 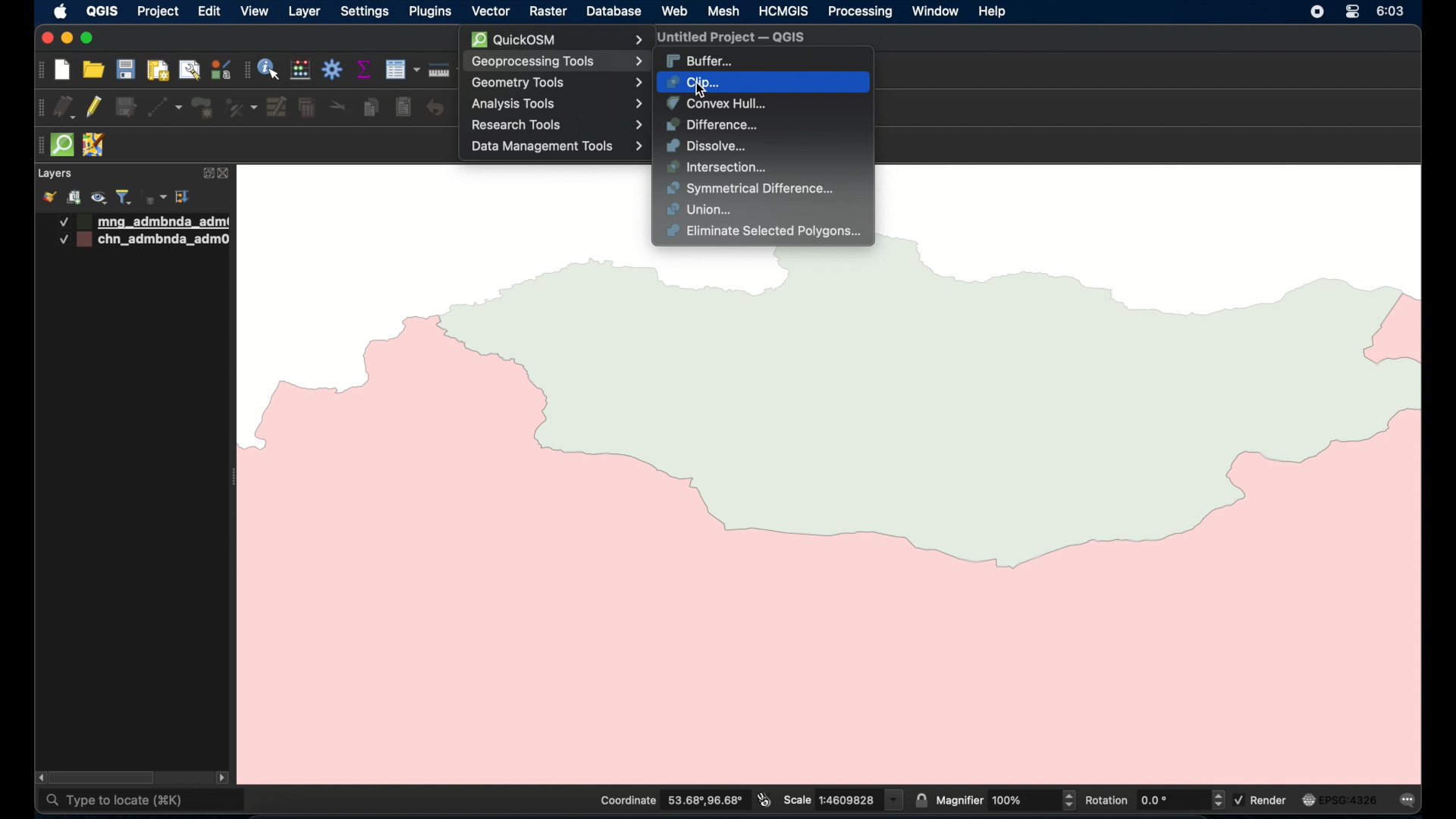 I want to click on analysis tools, so click(x=556, y=104).